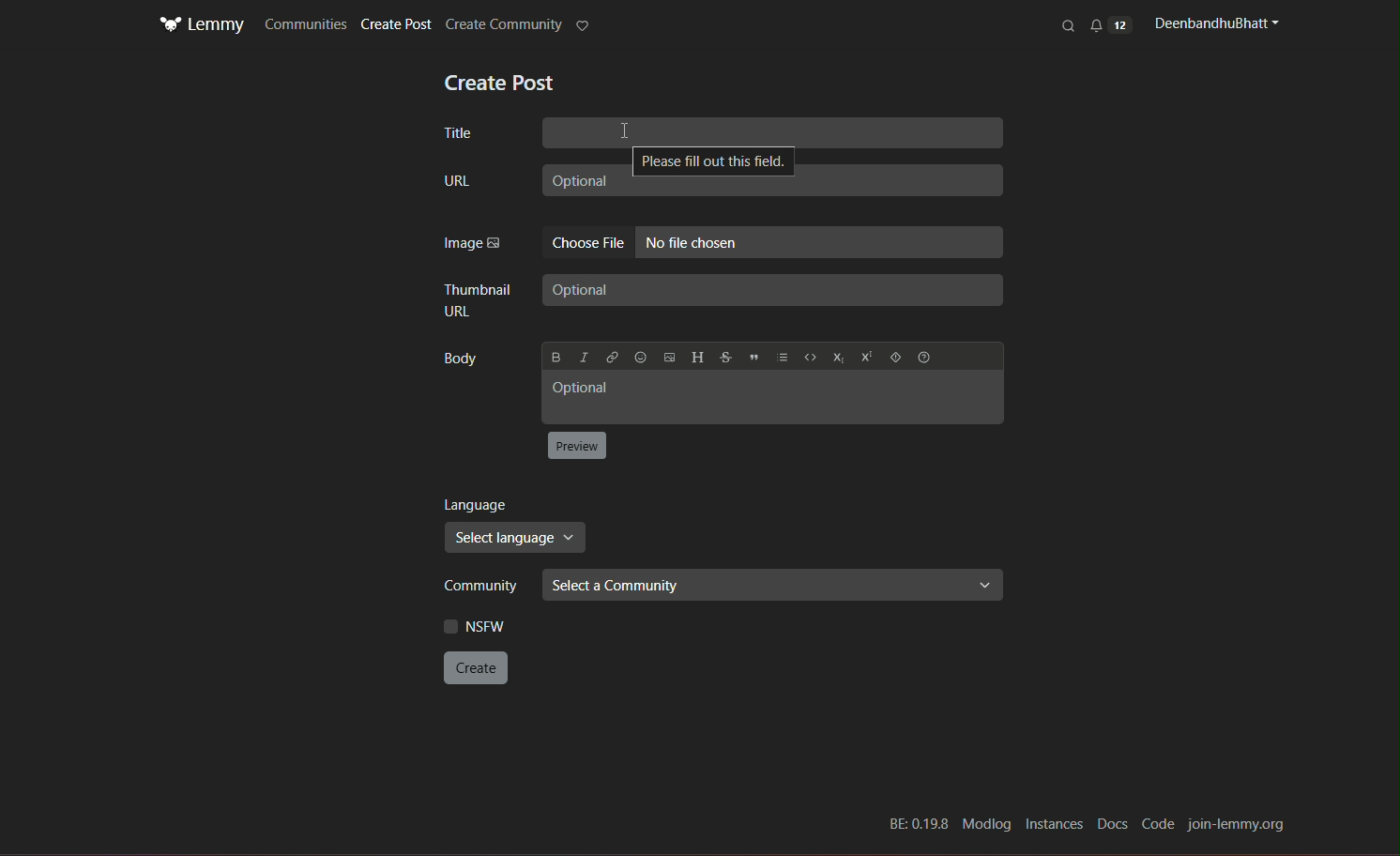 The width and height of the screenshot is (1400, 856). Describe the element at coordinates (625, 132) in the screenshot. I see `Cursor` at that location.